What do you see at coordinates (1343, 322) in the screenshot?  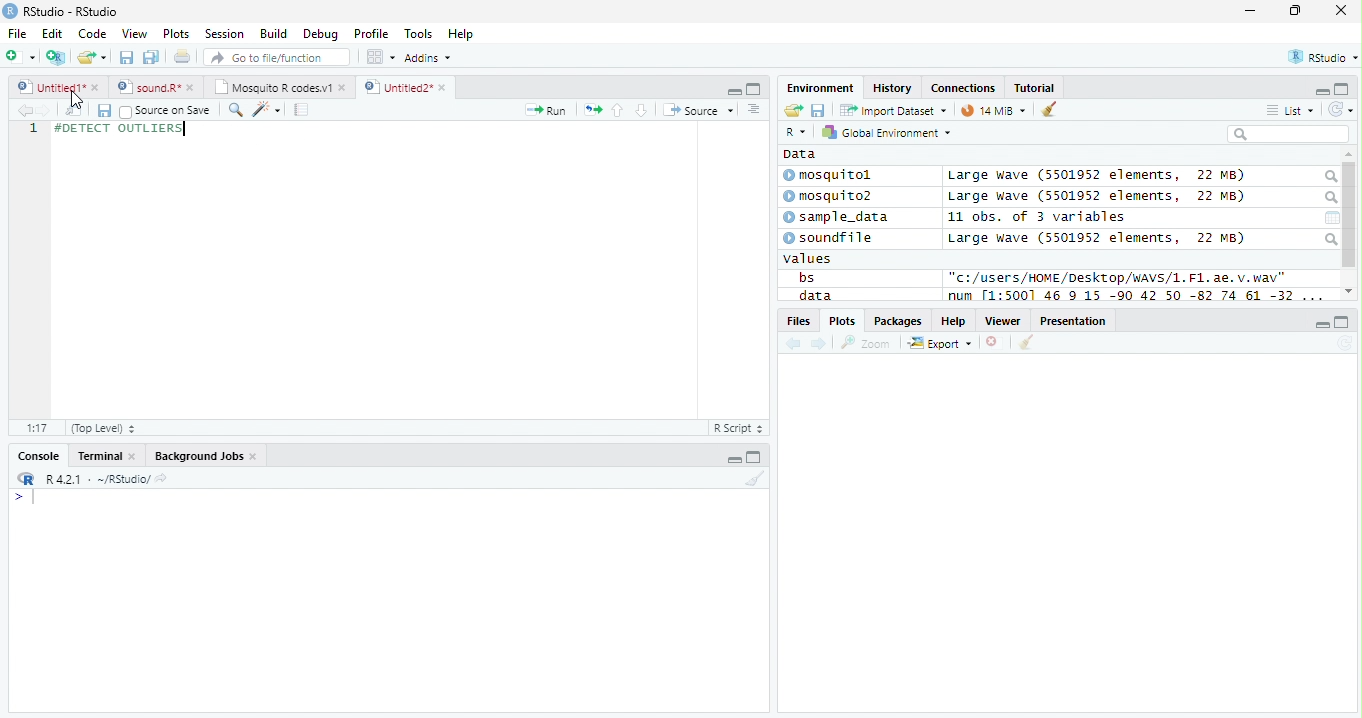 I see `full screen` at bounding box center [1343, 322].